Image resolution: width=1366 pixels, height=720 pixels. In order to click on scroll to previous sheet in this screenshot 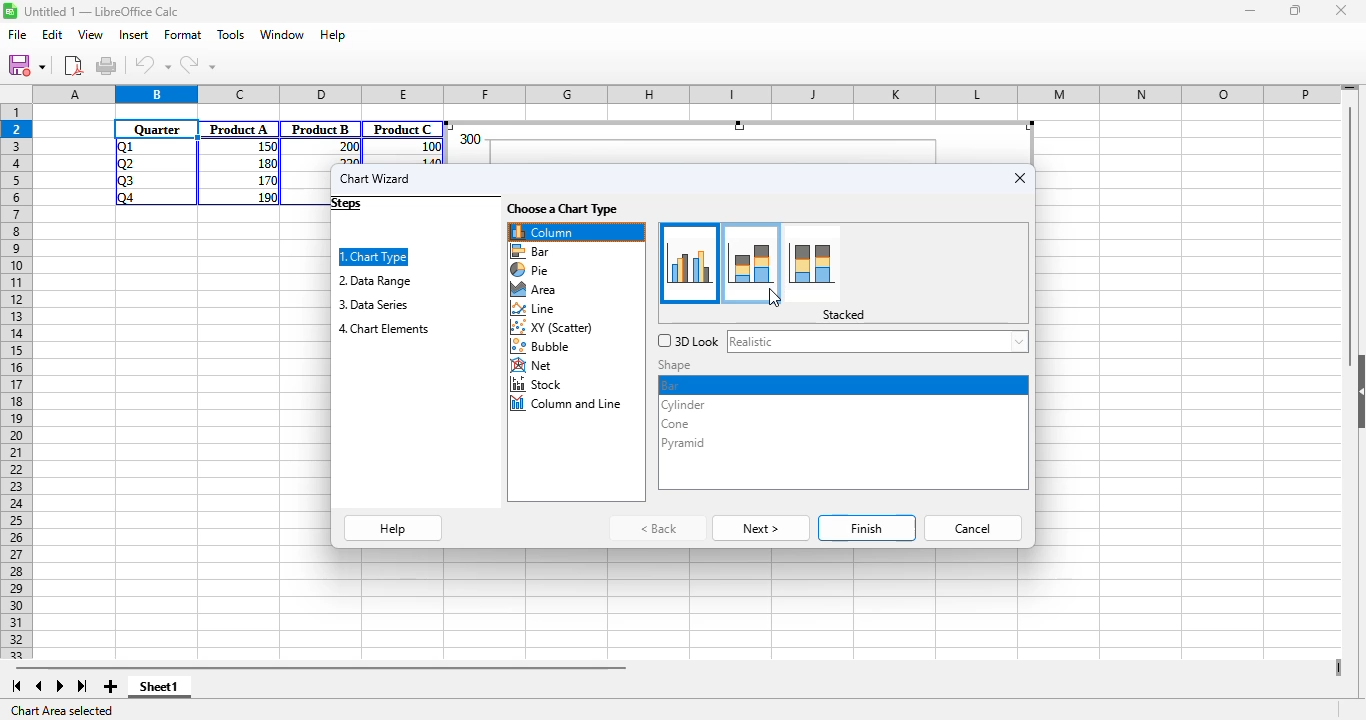, I will do `click(39, 686)`.